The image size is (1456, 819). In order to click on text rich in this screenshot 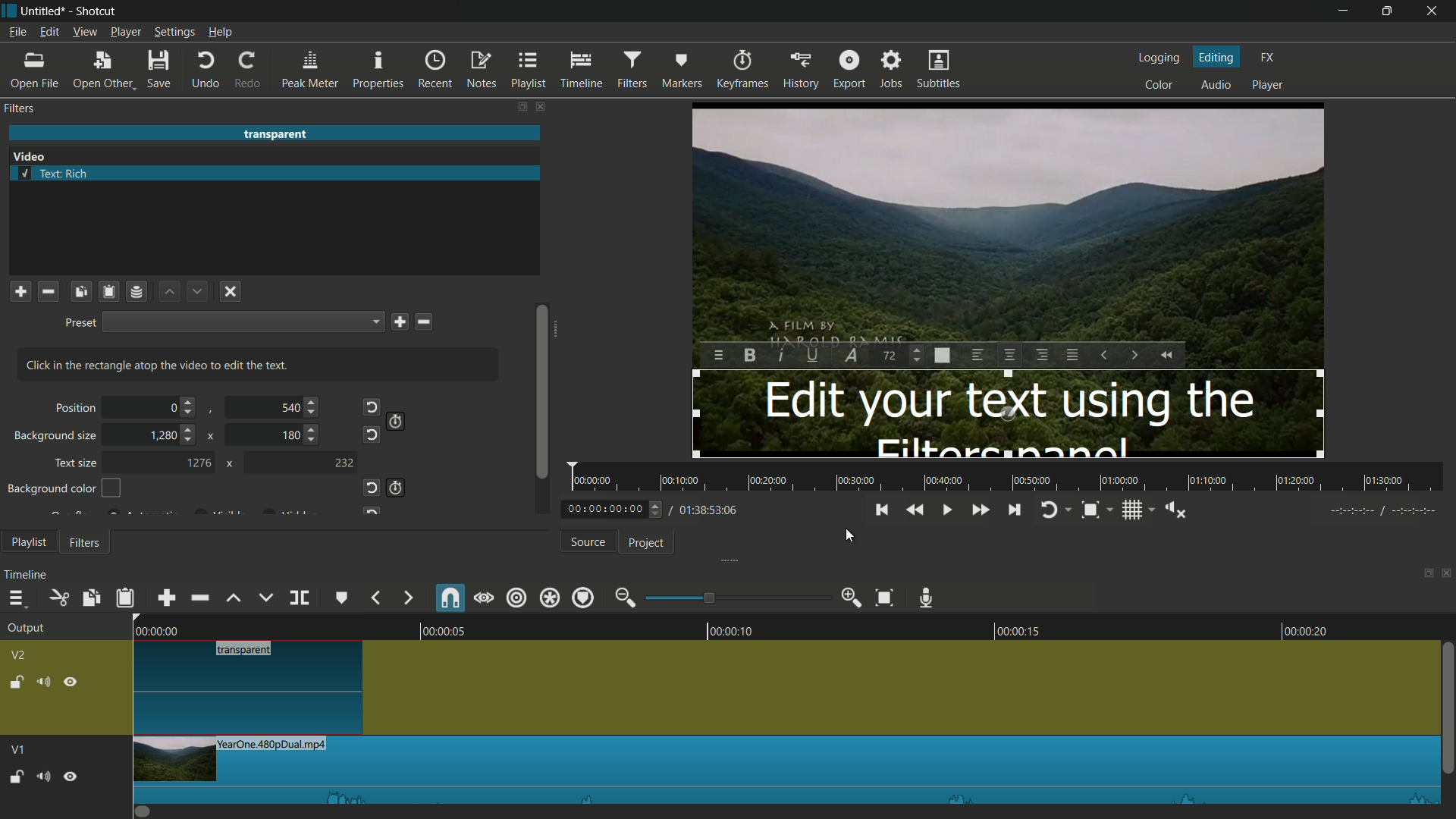, I will do `click(55, 173)`.